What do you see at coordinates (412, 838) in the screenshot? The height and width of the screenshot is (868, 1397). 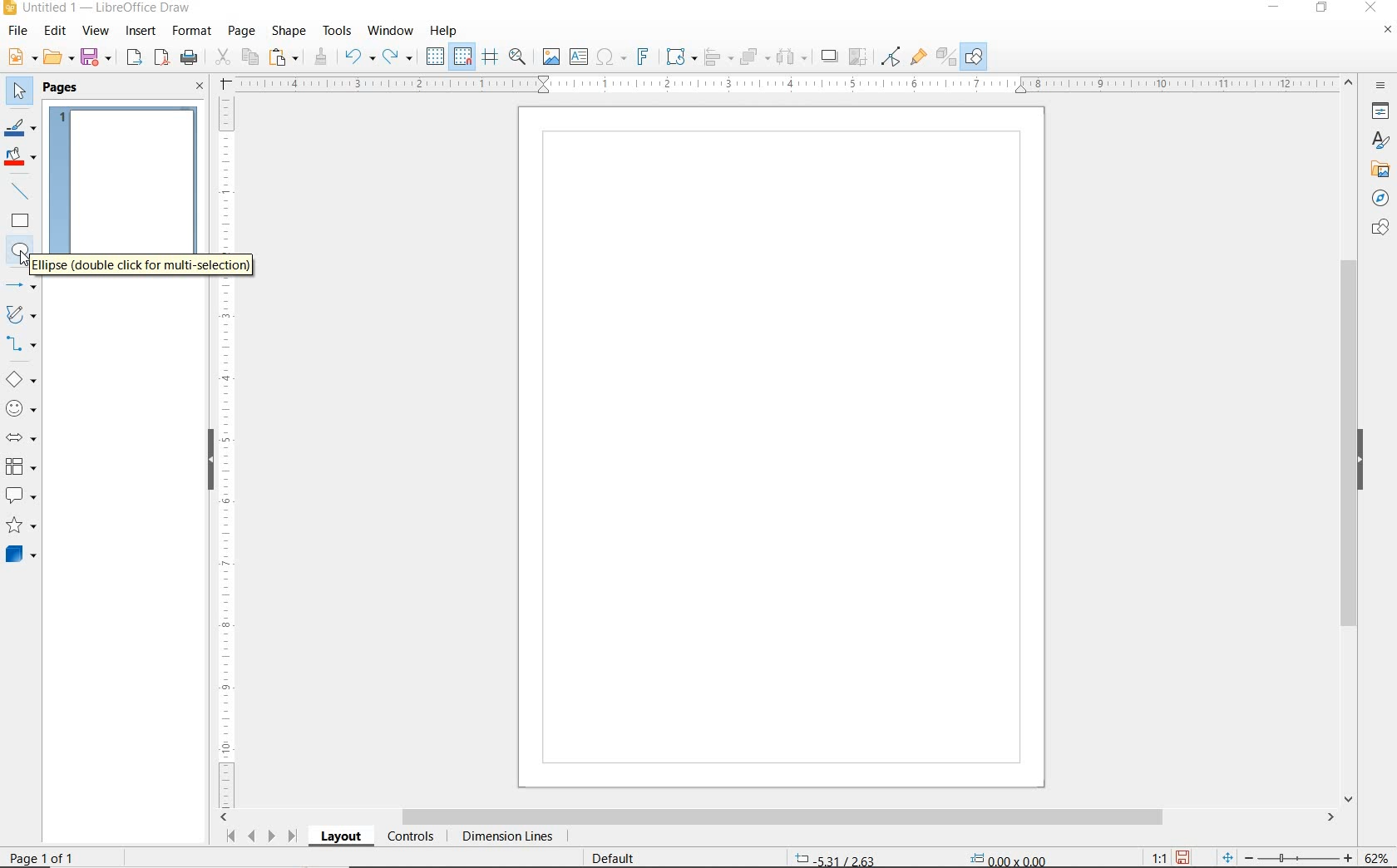 I see `CONTROLS` at bounding box center [412, 838].